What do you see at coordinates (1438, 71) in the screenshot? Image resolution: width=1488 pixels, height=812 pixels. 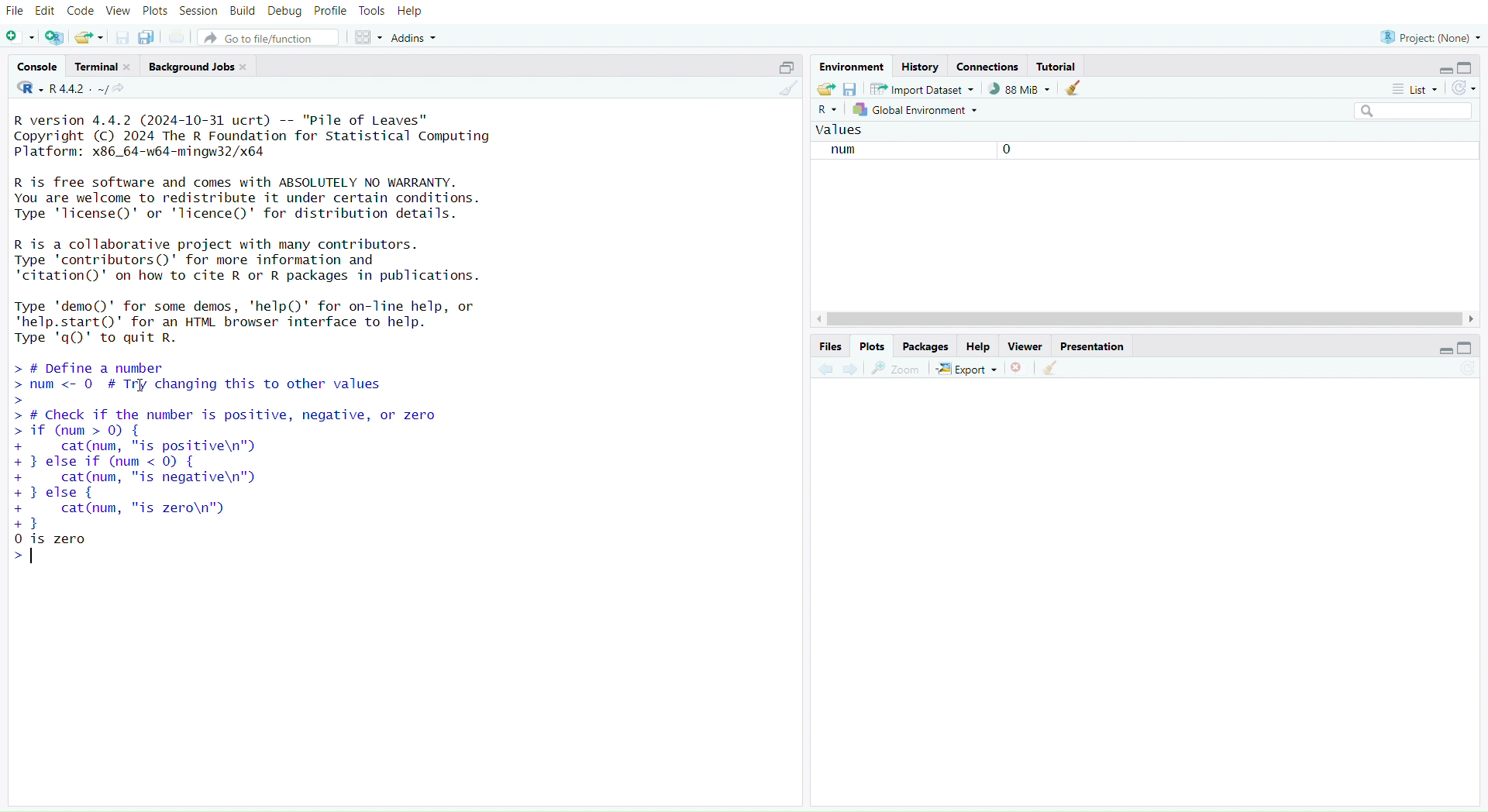 I see `expand` at bounding box center [1438, 71].